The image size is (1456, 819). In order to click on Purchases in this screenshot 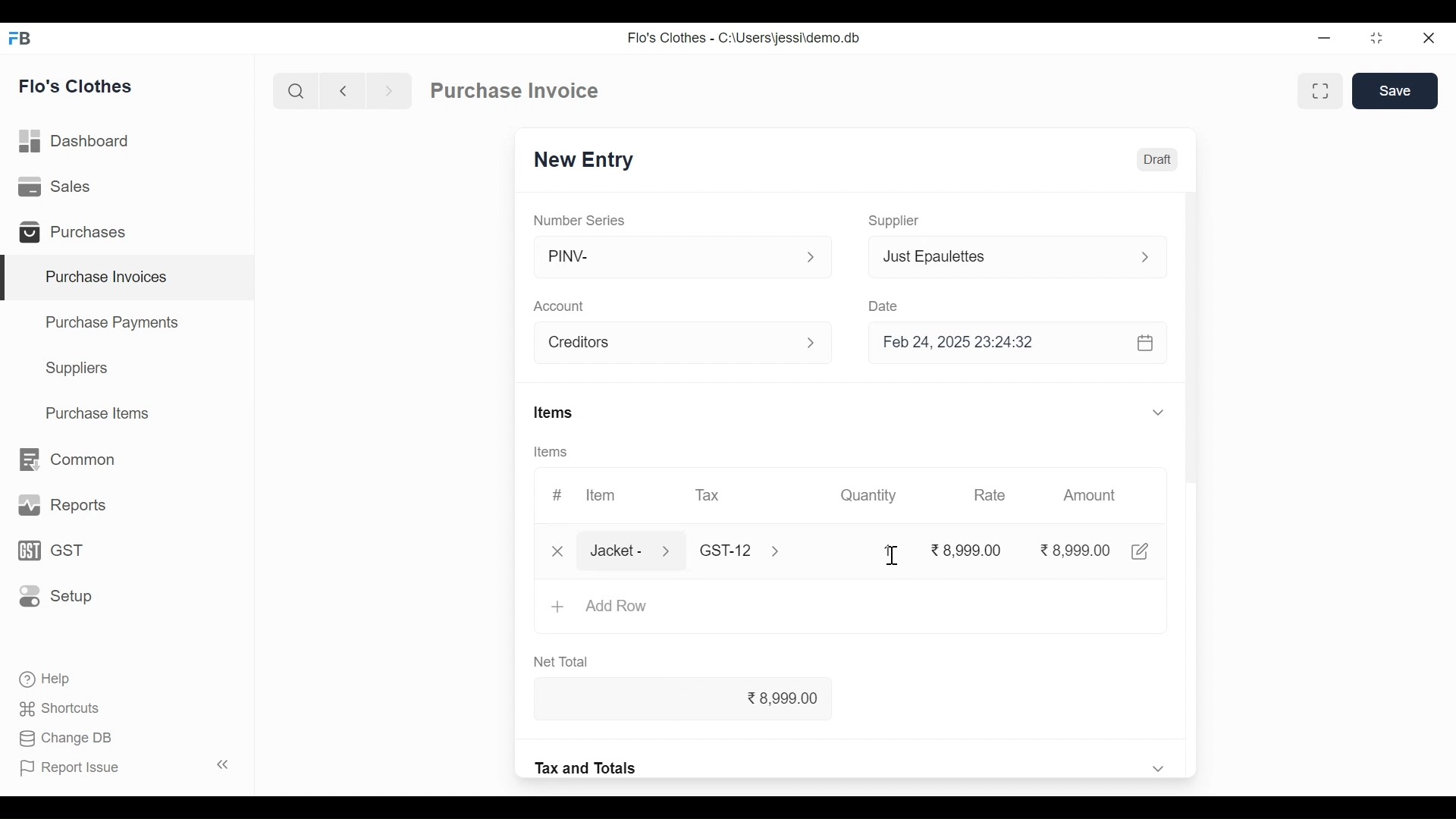, I will do `click(77, 233)`.